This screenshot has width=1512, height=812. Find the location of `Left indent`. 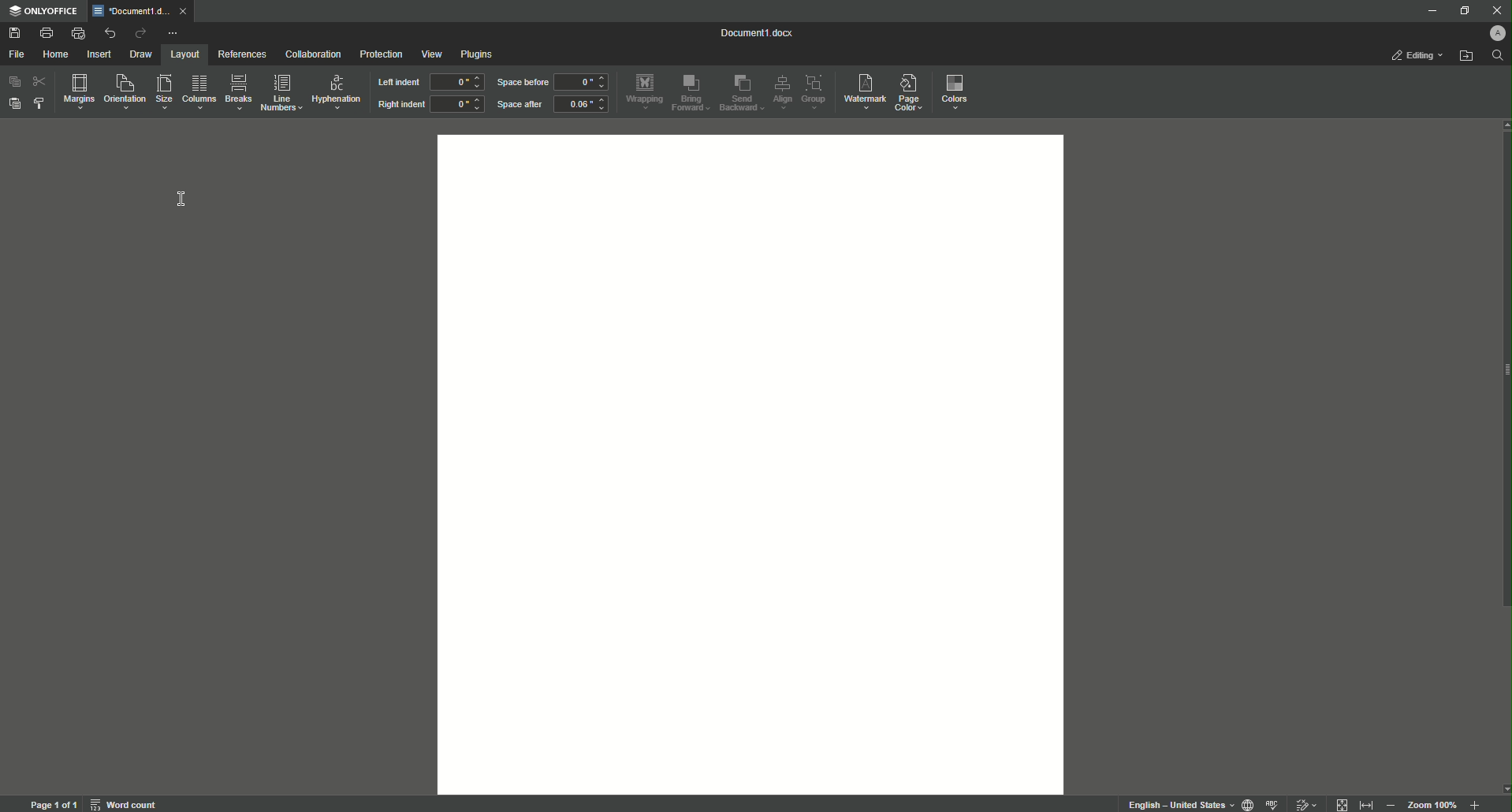

Left indent is located at coordinates (397, 83).